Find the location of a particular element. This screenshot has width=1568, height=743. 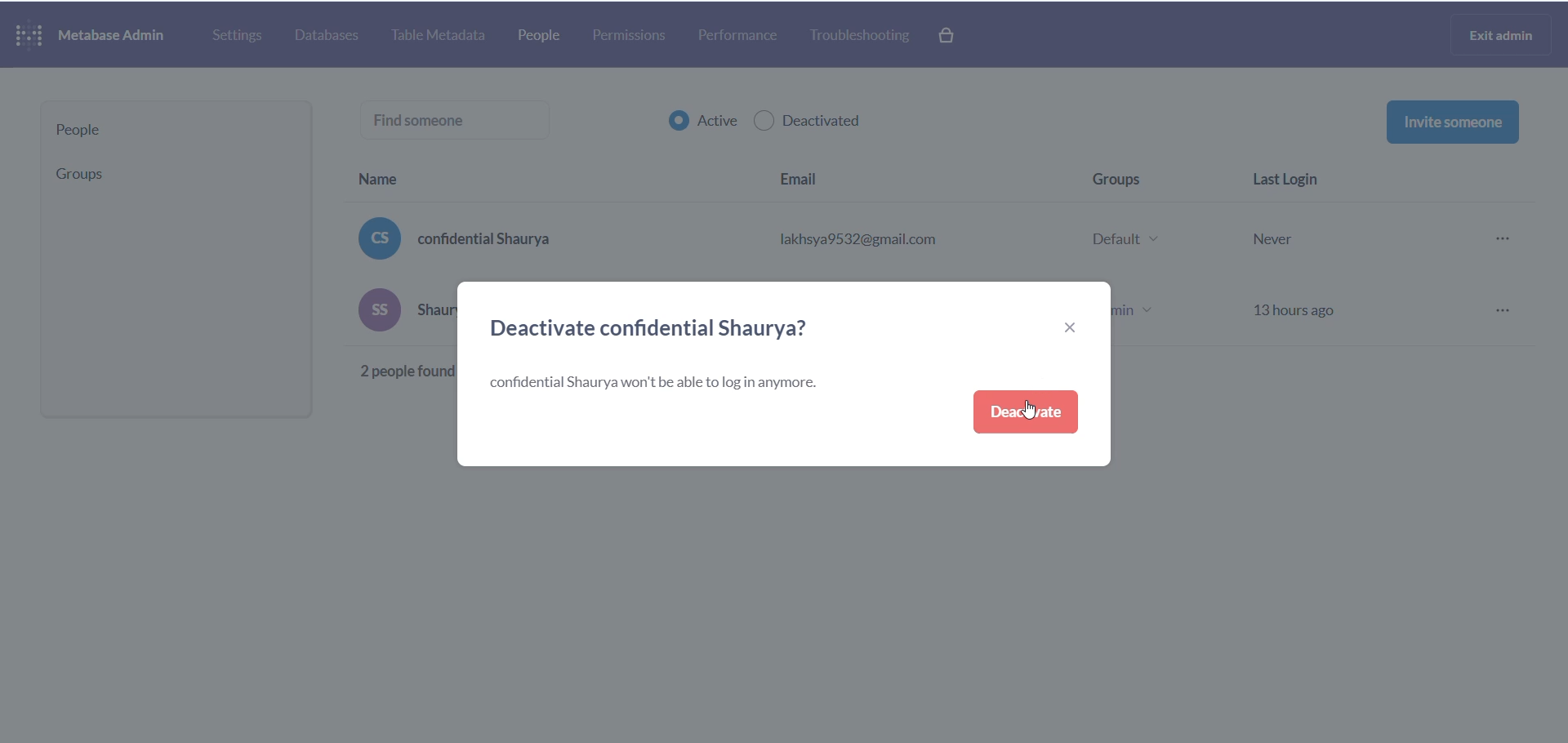

more options is located at coordinates (1503, 236).